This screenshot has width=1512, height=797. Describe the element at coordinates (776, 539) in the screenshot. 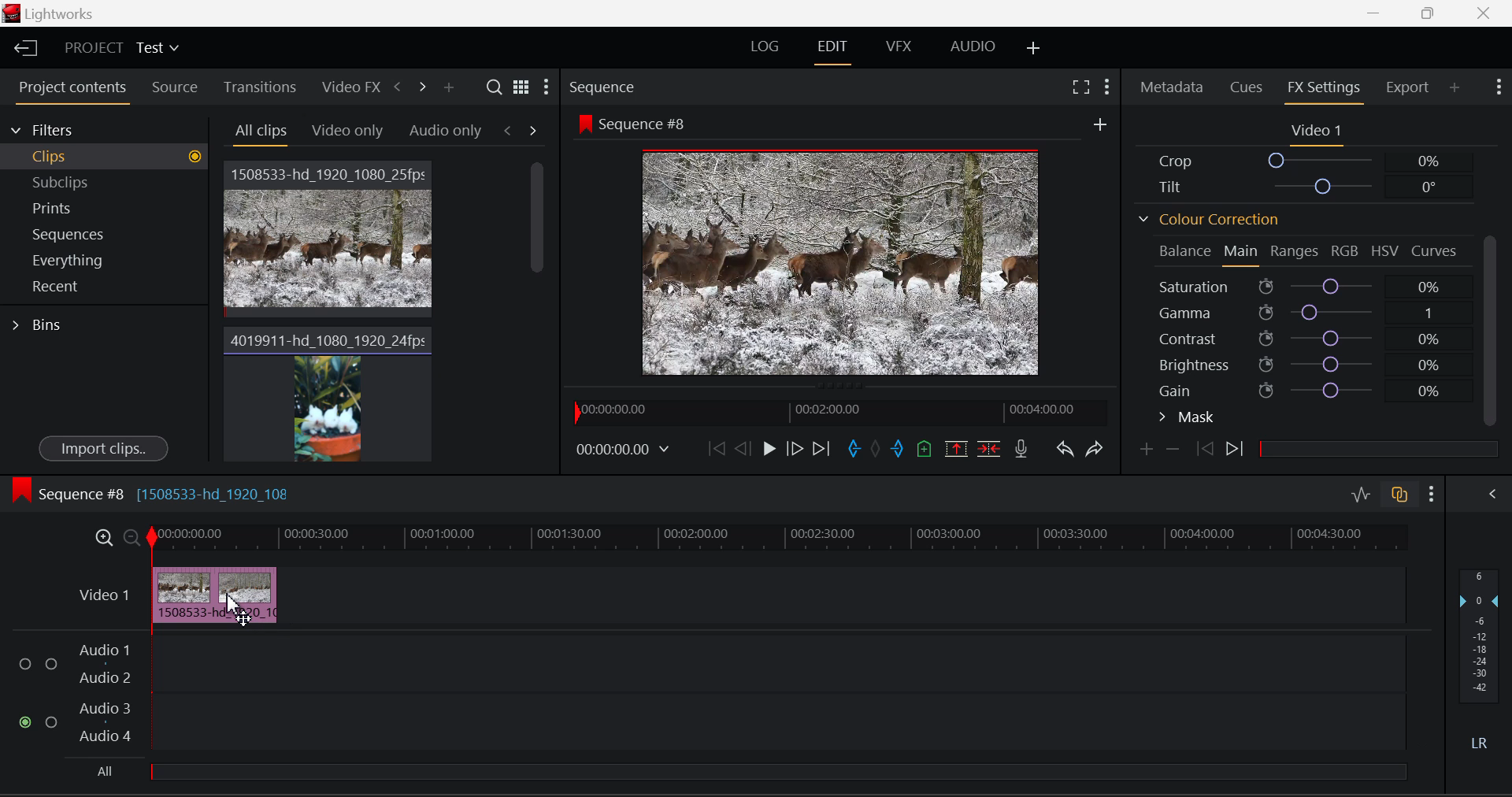

I see `Video Timeline` at that location.